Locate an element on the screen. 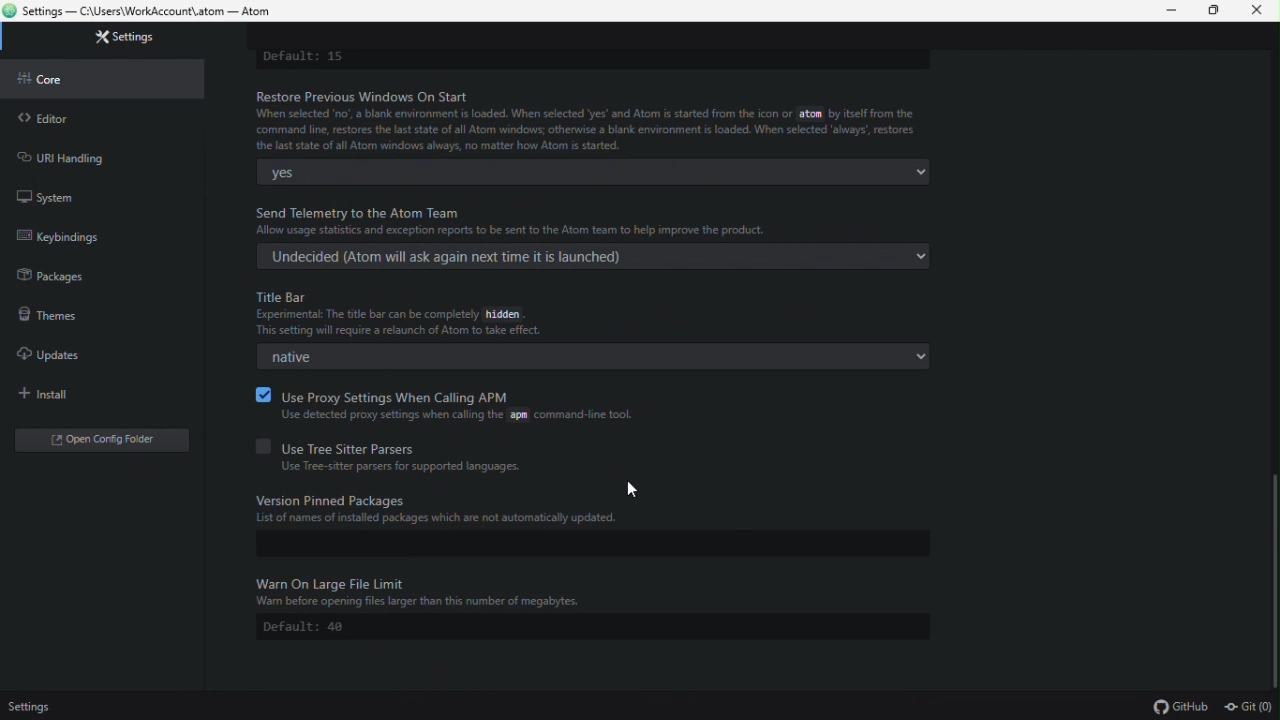 Image resolution: width=1280 pixels, height=720 pixels. checkbox  is located at coordinates (261, 446).